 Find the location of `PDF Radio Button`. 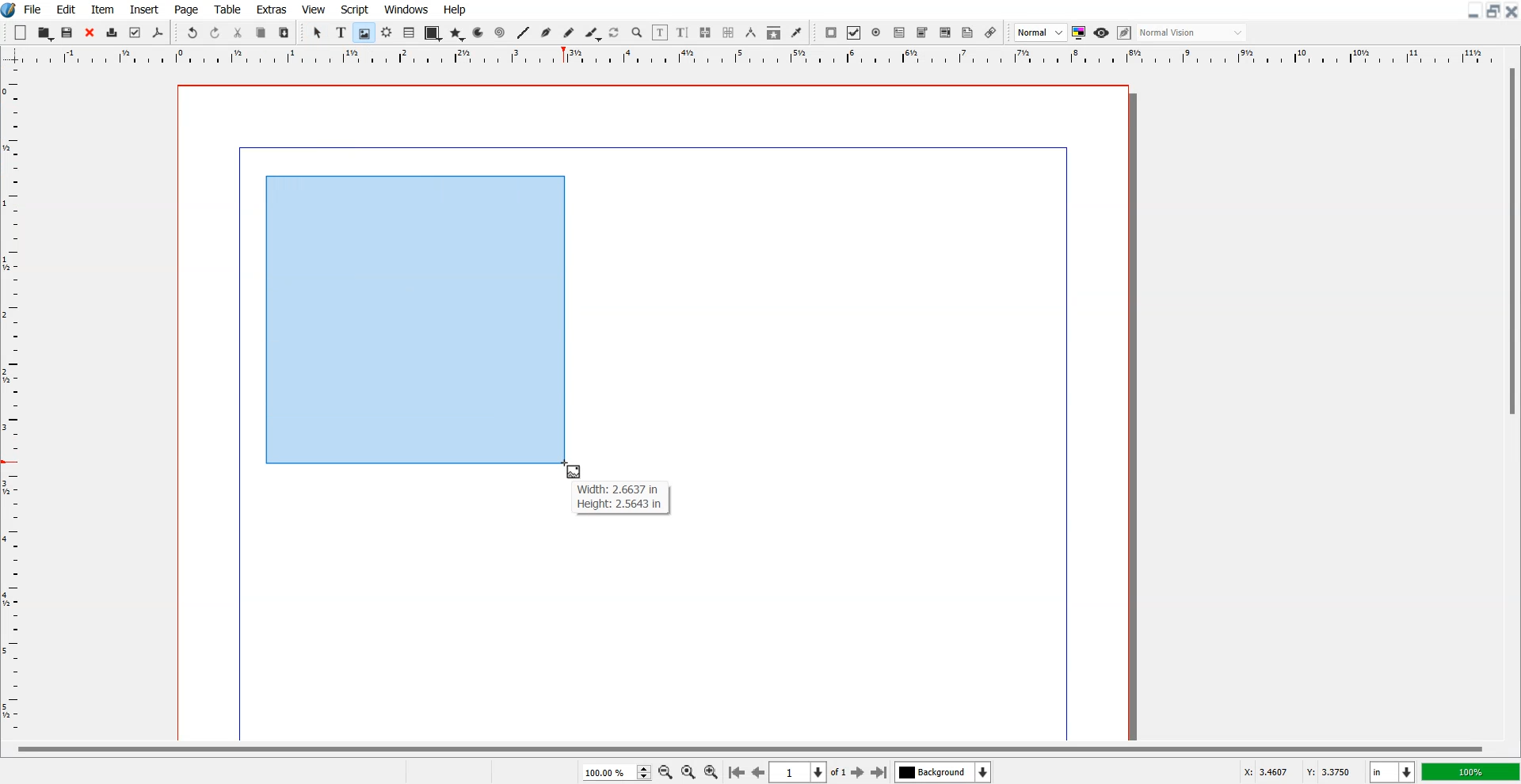

PDF Radio Button is located at coordinates (876, 32).